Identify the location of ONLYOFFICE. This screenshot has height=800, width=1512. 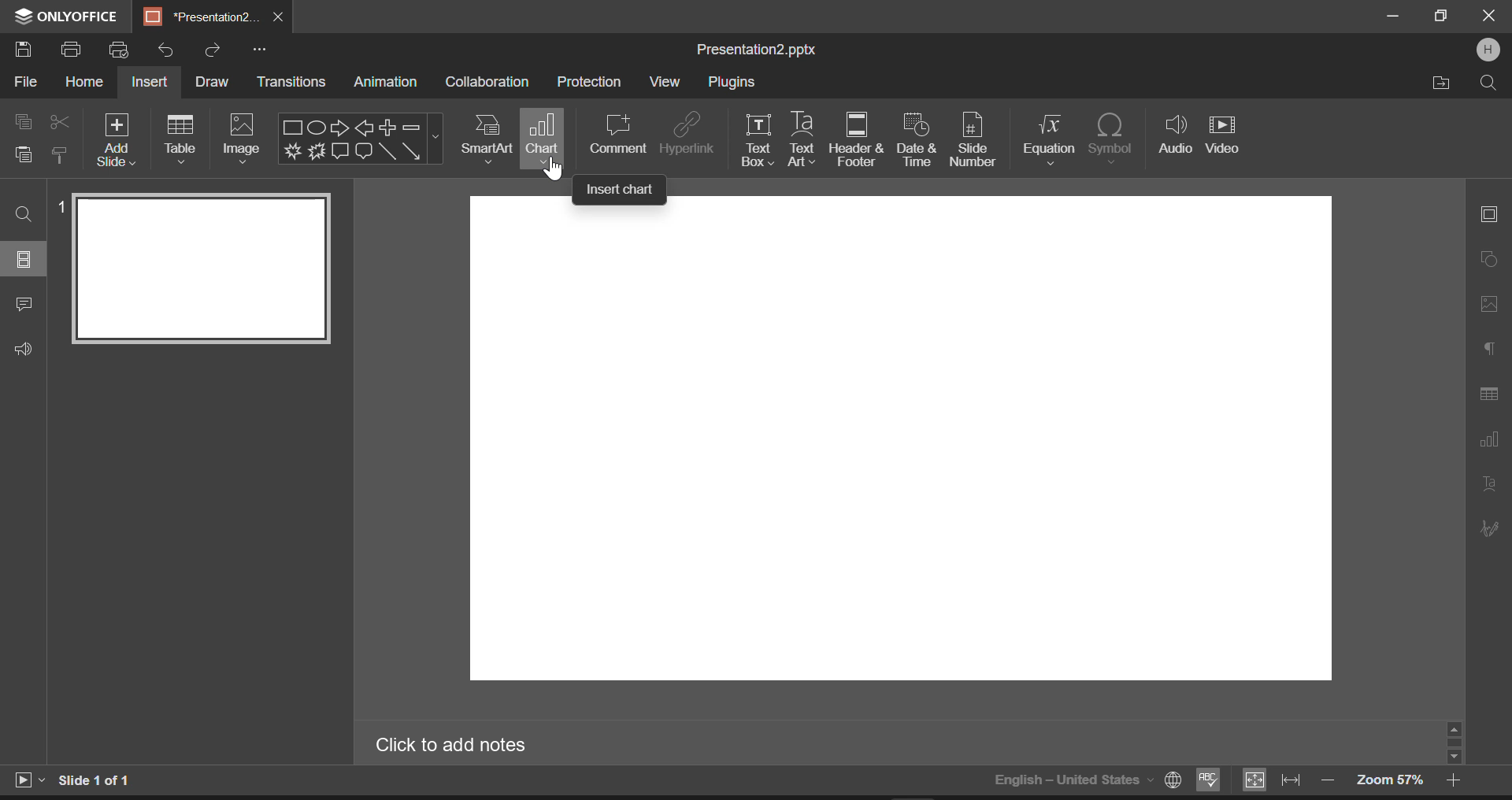
(63, 17).